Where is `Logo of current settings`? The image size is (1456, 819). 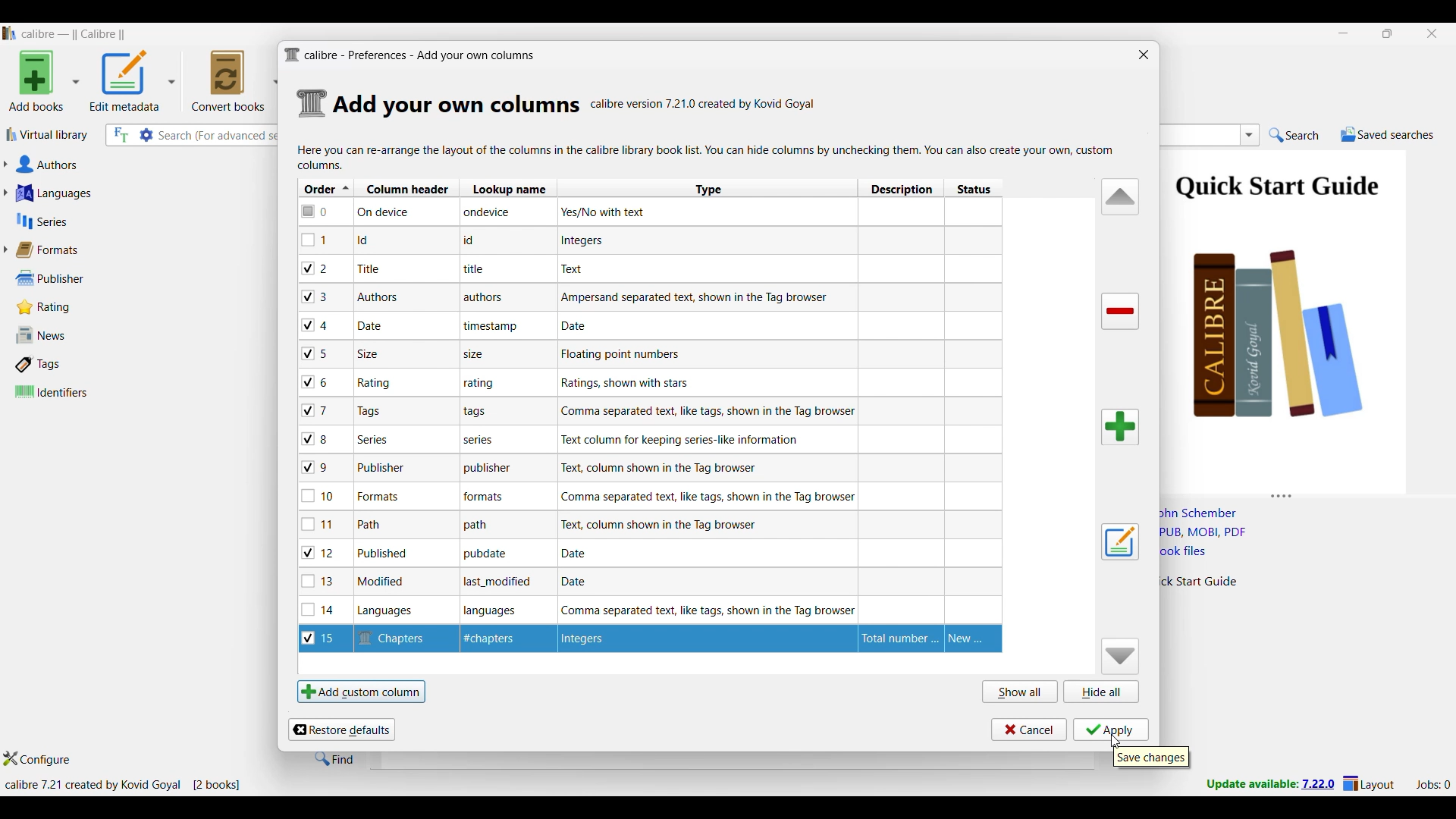
Logo of current settings is located at coordinates (312, 104).